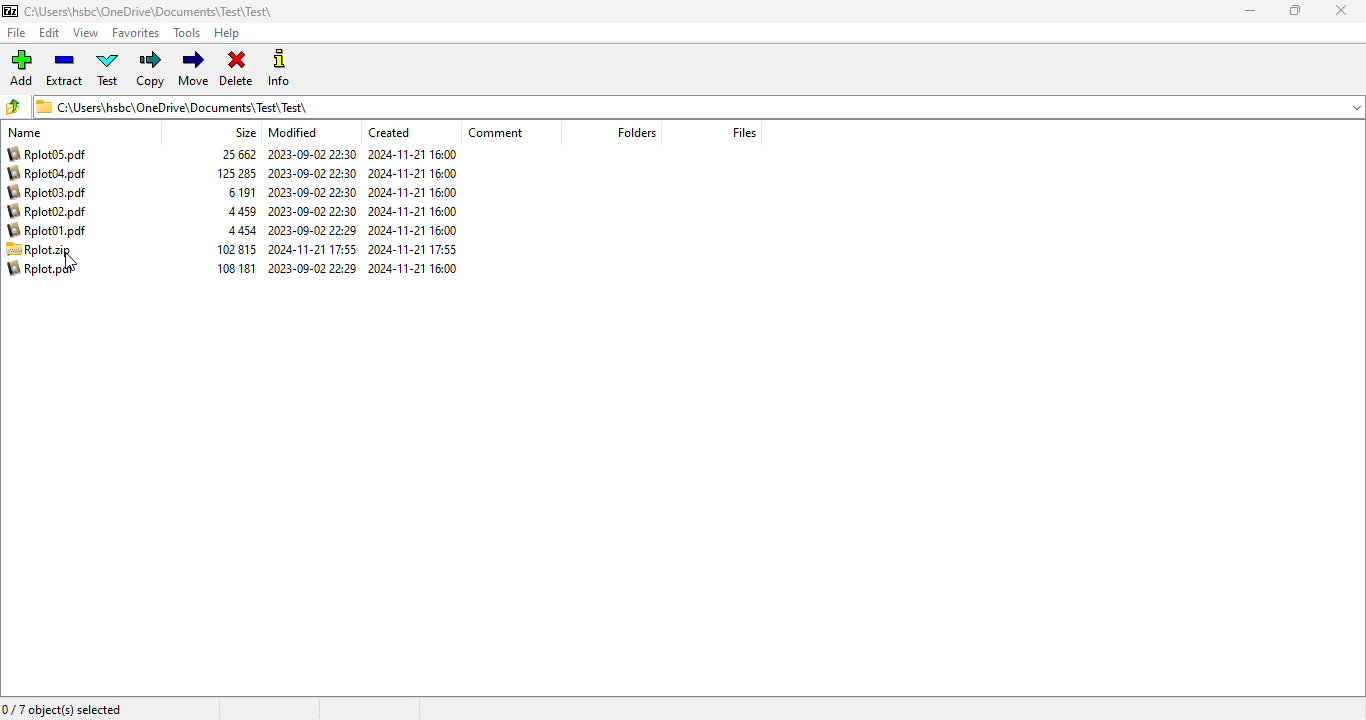 This screenshot has height=720, width=1366. I want to click on add, so click(22, 67).